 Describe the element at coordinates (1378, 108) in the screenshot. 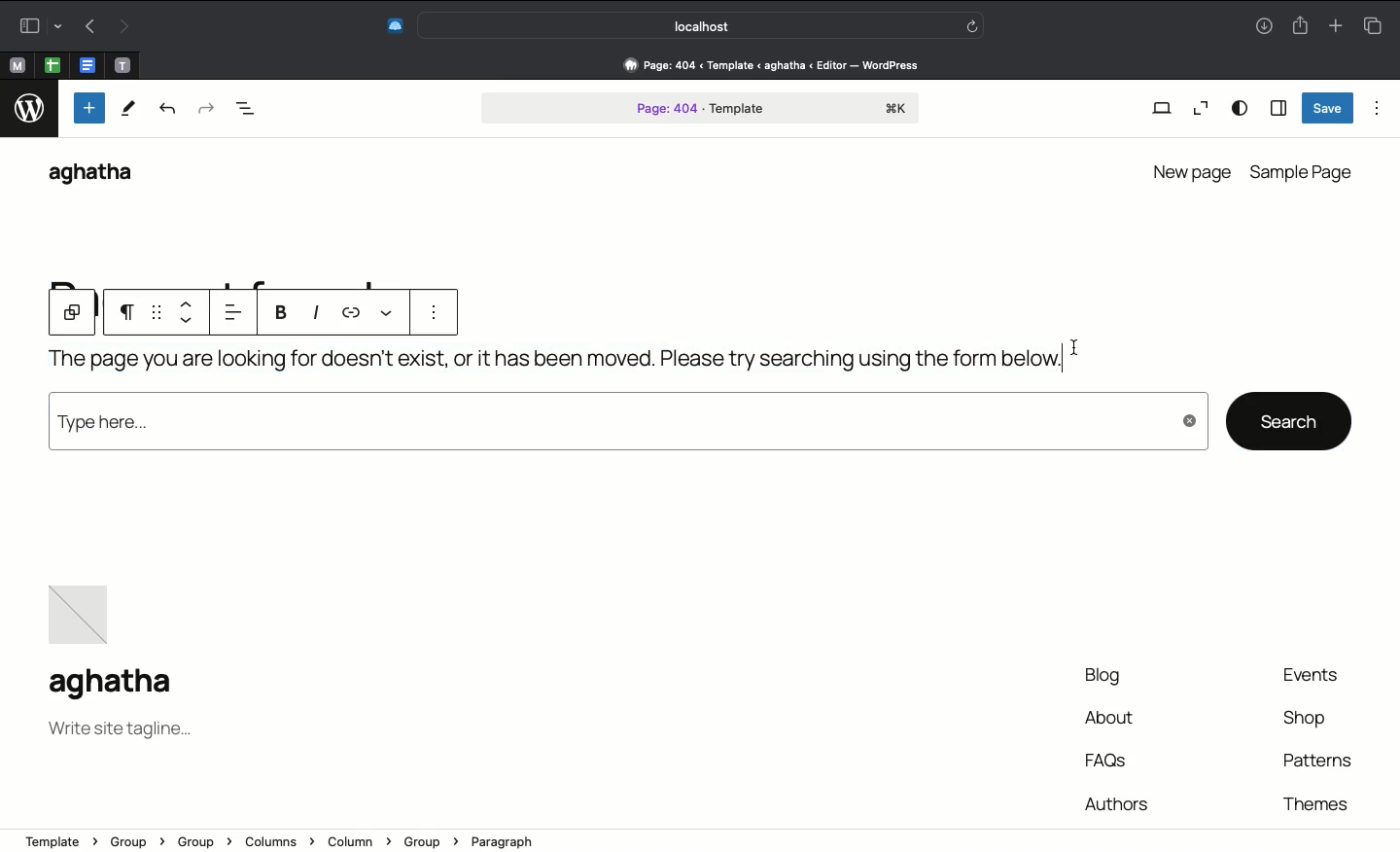

I see `Options` at that location.